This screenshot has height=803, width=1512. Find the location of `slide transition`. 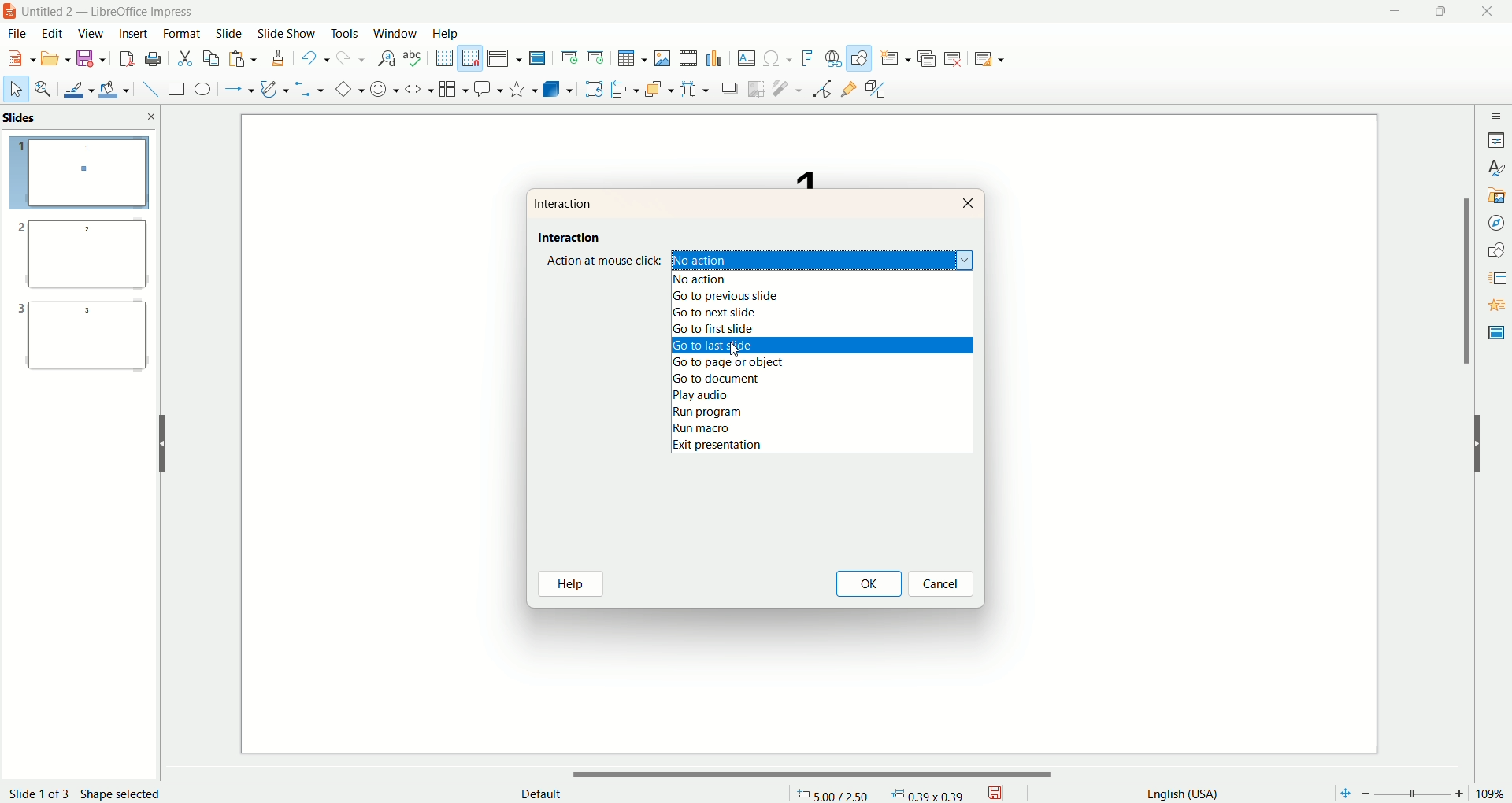

slide transition is located at coordinates (1495, 276).